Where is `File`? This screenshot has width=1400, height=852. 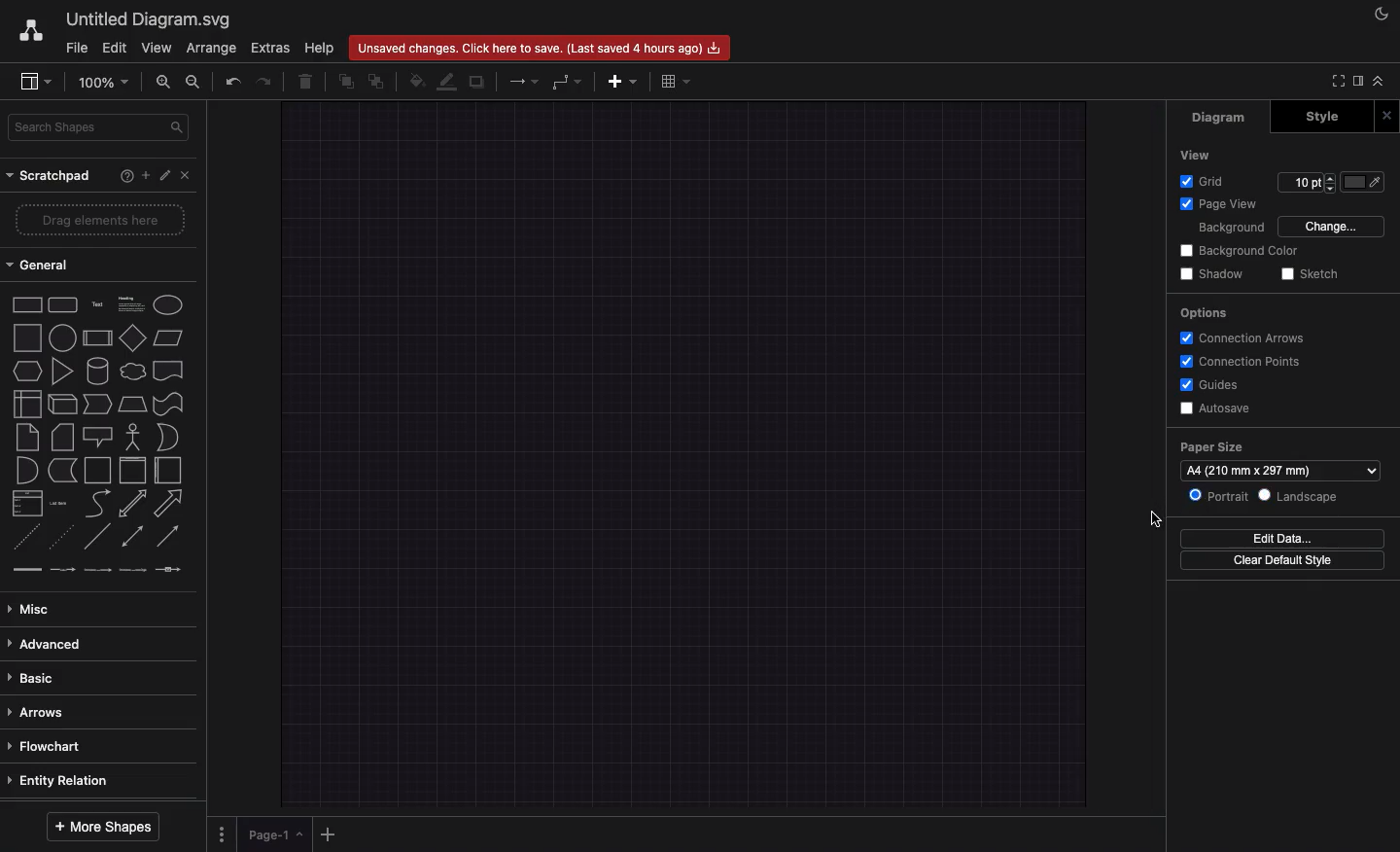 File is located at coordinates (76, 49).